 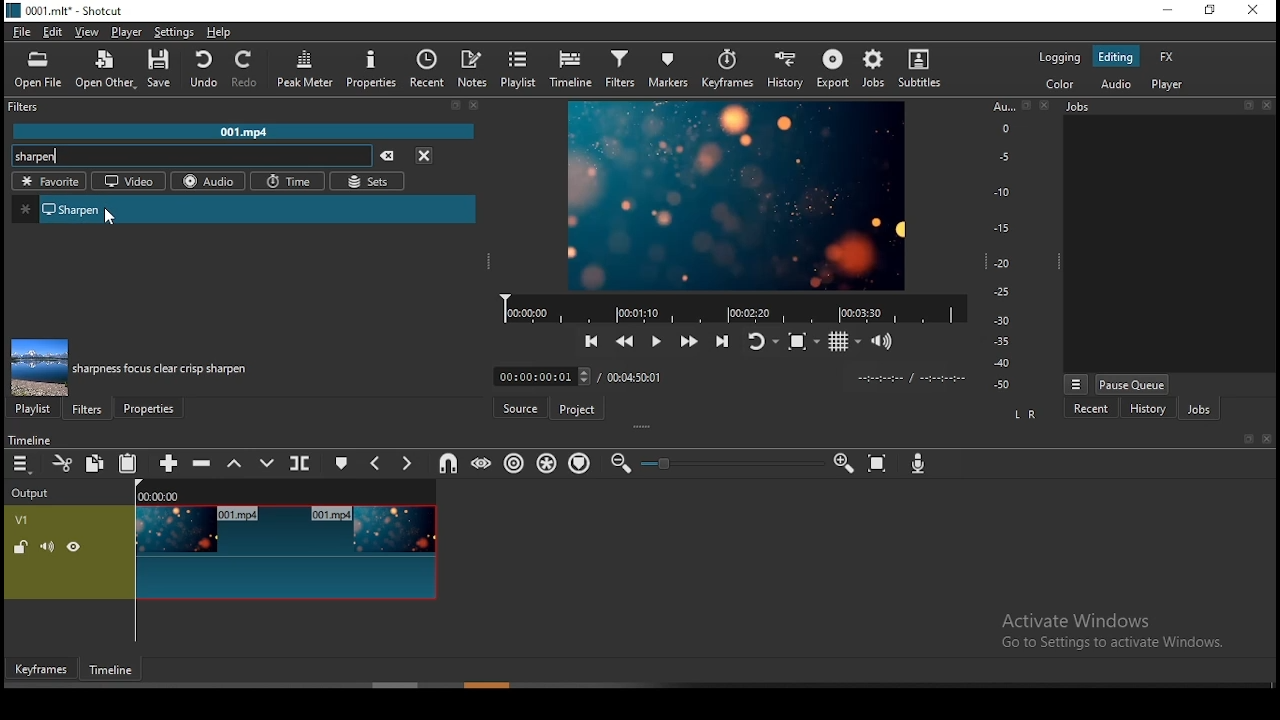 I want to click on peak meter, so click(x=304, y=70).